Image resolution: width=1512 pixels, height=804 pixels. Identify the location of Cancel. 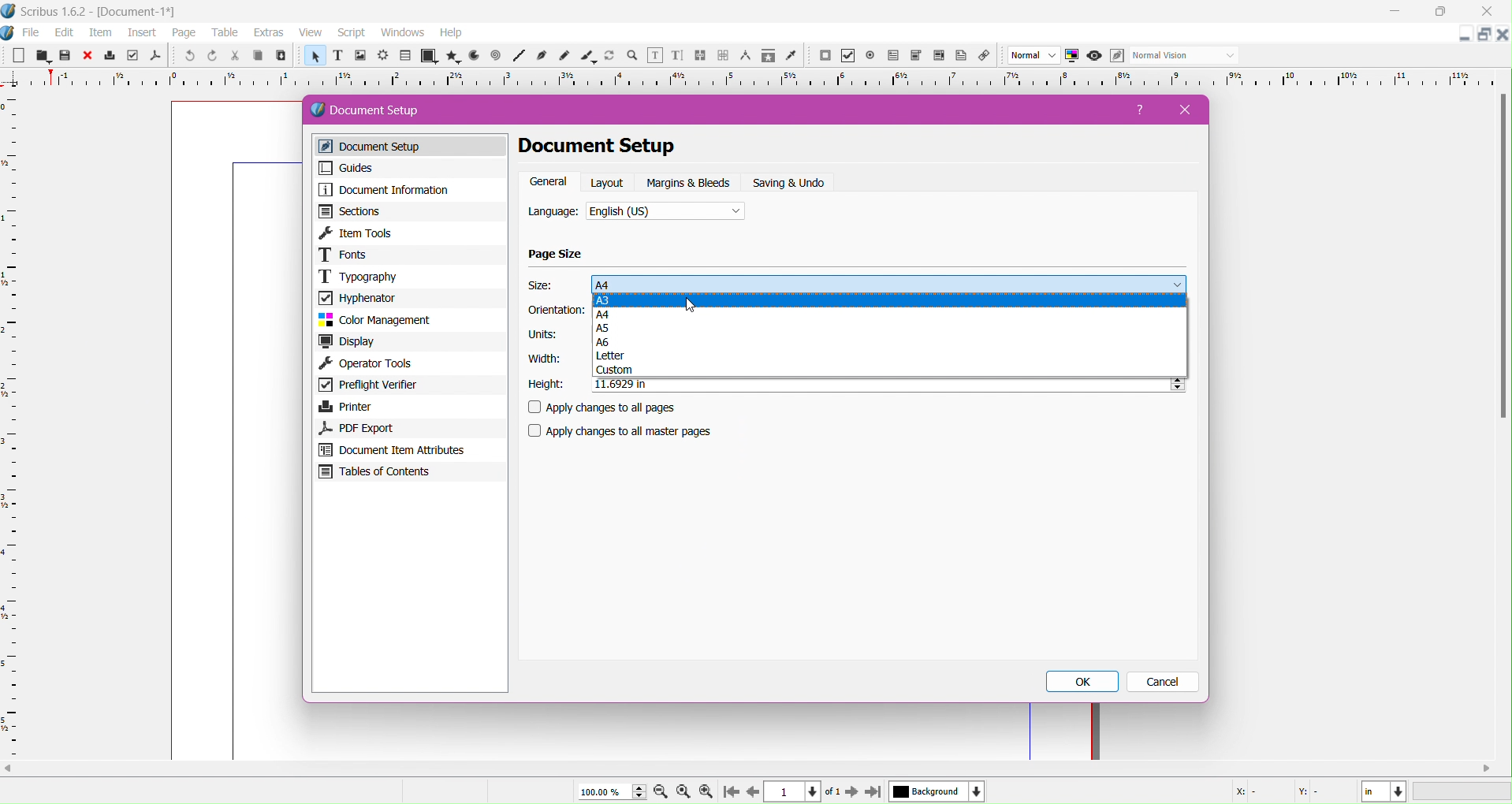
(1164, 683).